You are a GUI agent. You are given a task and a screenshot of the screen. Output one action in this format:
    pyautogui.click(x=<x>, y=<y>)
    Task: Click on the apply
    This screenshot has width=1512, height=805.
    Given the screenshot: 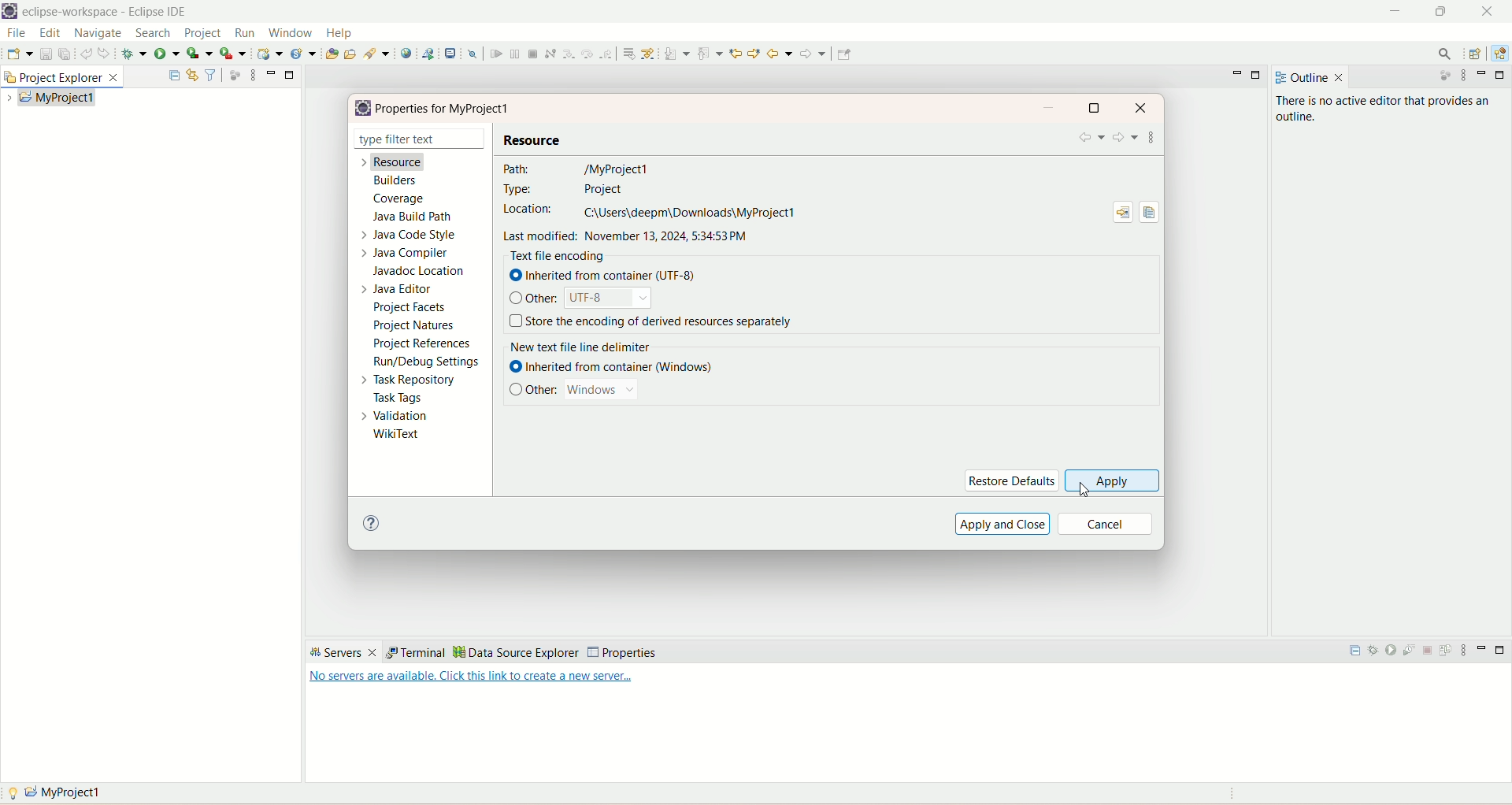 What is the action you would take?
    pyautogui.click(x=1112, y=480)
    